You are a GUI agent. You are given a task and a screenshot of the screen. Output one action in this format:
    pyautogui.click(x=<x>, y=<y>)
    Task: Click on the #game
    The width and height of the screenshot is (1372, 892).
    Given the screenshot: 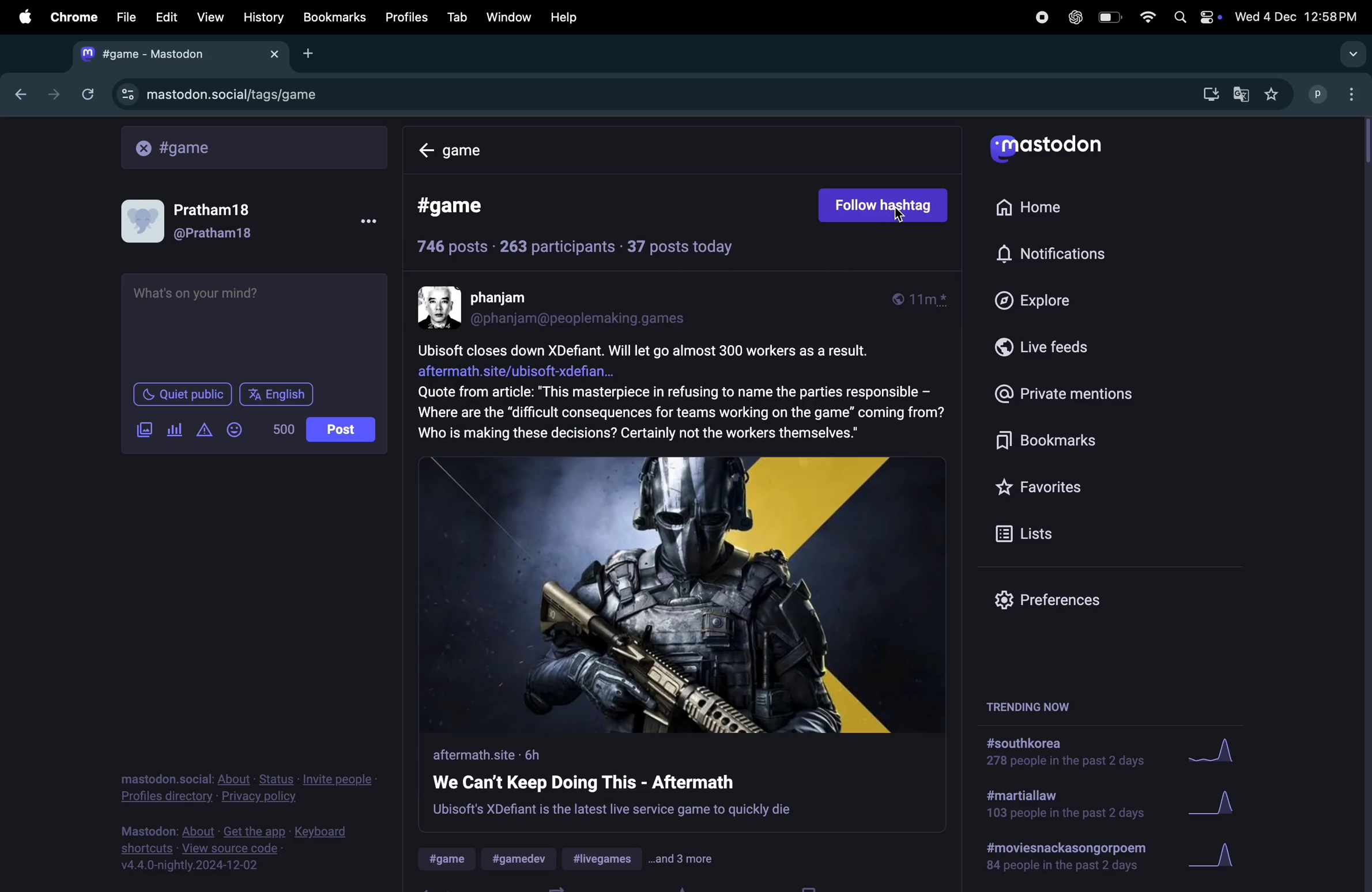 What is the action you would take?
    pyautogui.click(x=464, y=207)
    